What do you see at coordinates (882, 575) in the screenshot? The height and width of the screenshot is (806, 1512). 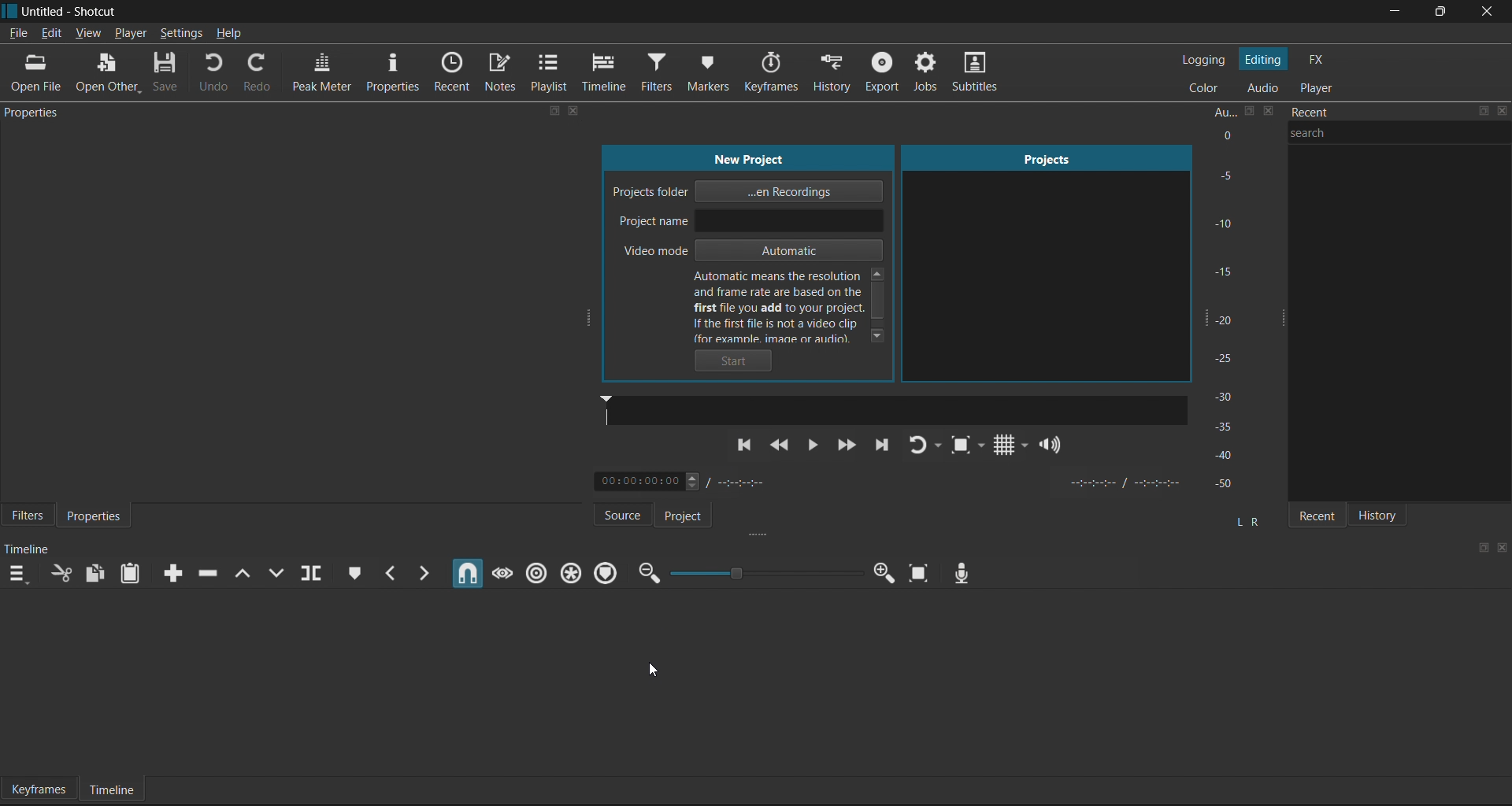 I see `Zoom in` at bounding box center [882, 575].